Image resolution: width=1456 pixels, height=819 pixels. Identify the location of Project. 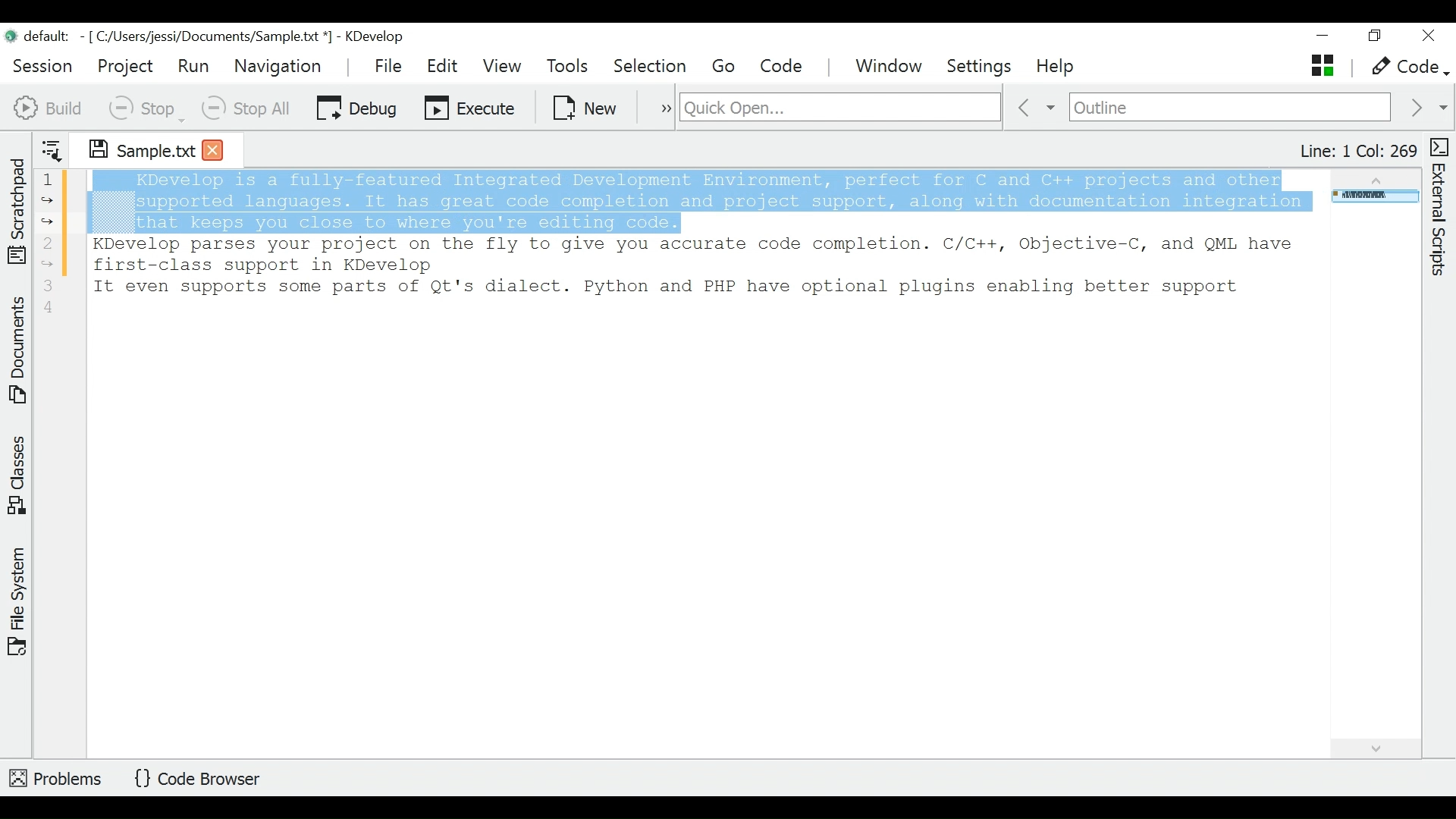
(124, 66).